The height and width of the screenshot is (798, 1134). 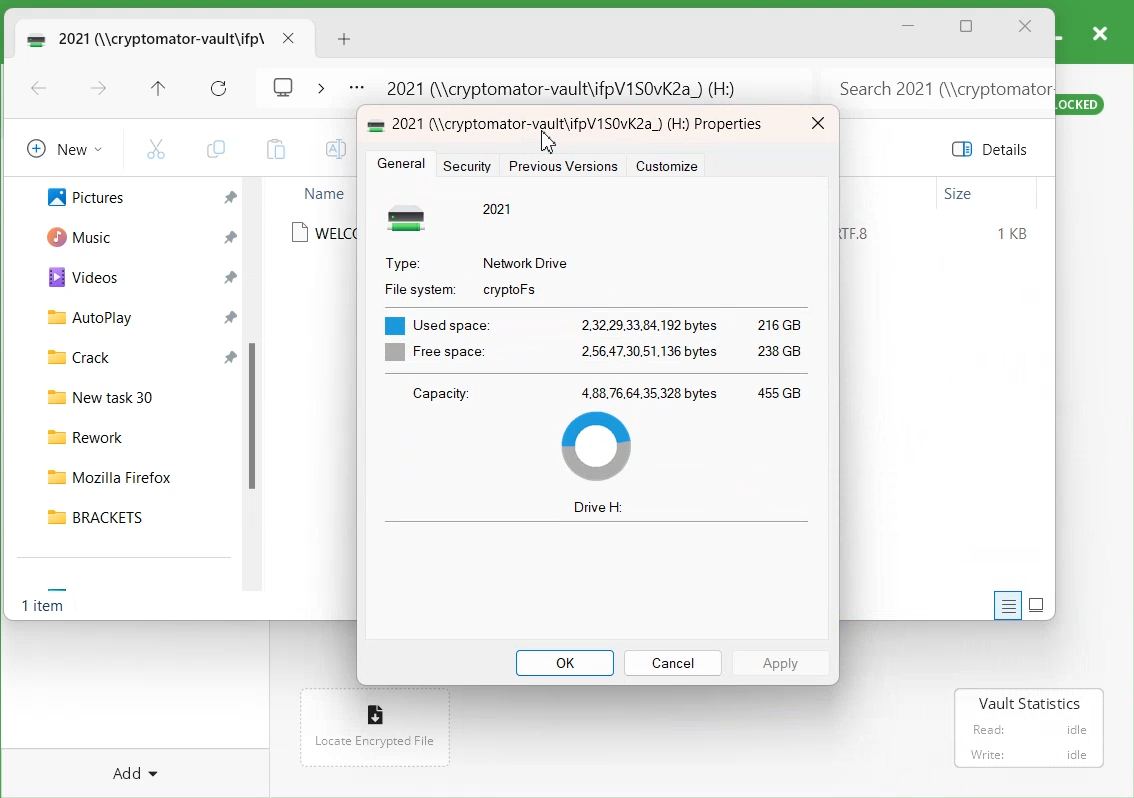 What do you see at coordinates (257, 391) in the screenshot?
I see `Scroll` at bounding box center [257, 391].